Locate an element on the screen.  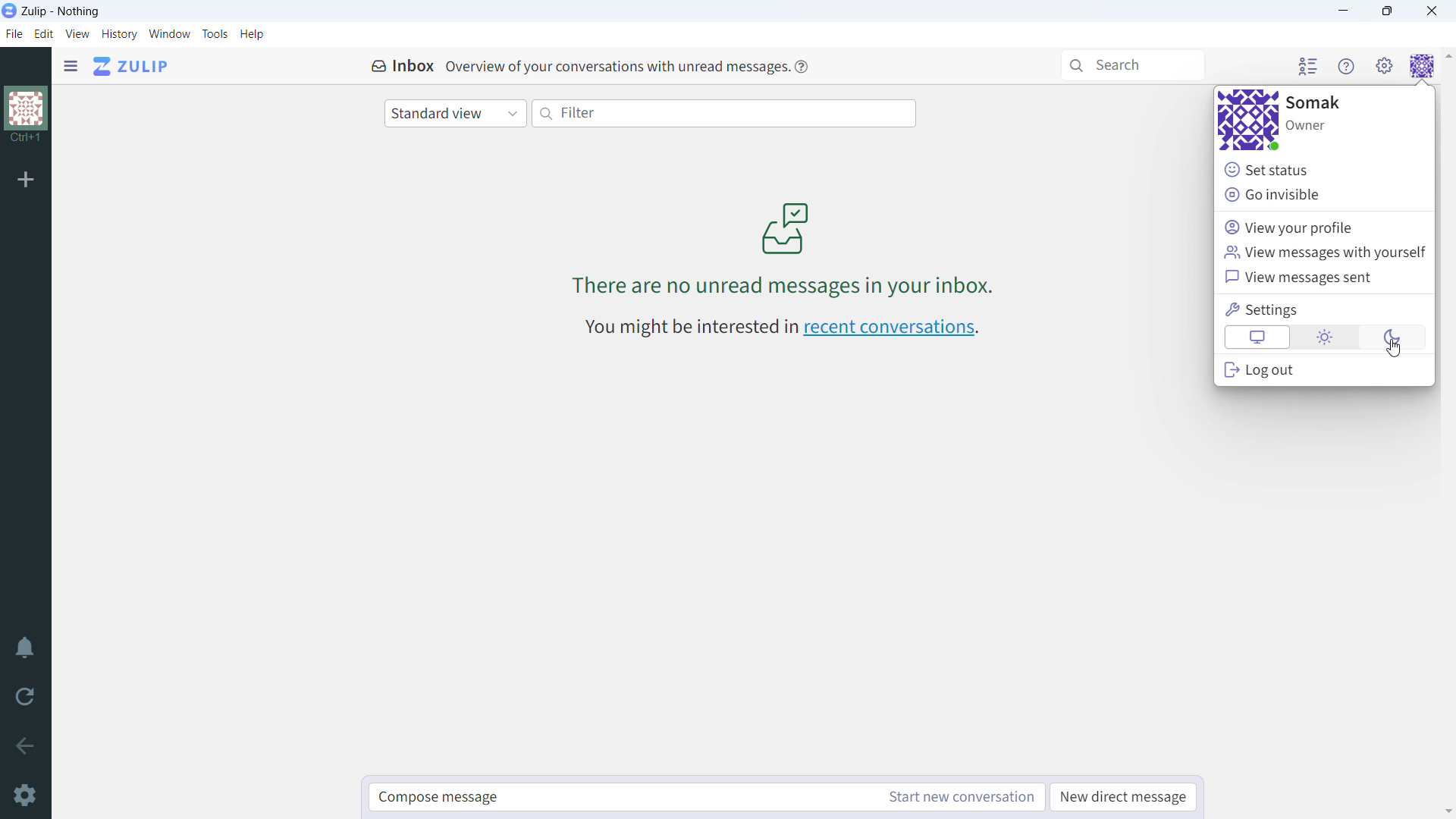
go to home view (inbox) is located at coordinates (130, 66).